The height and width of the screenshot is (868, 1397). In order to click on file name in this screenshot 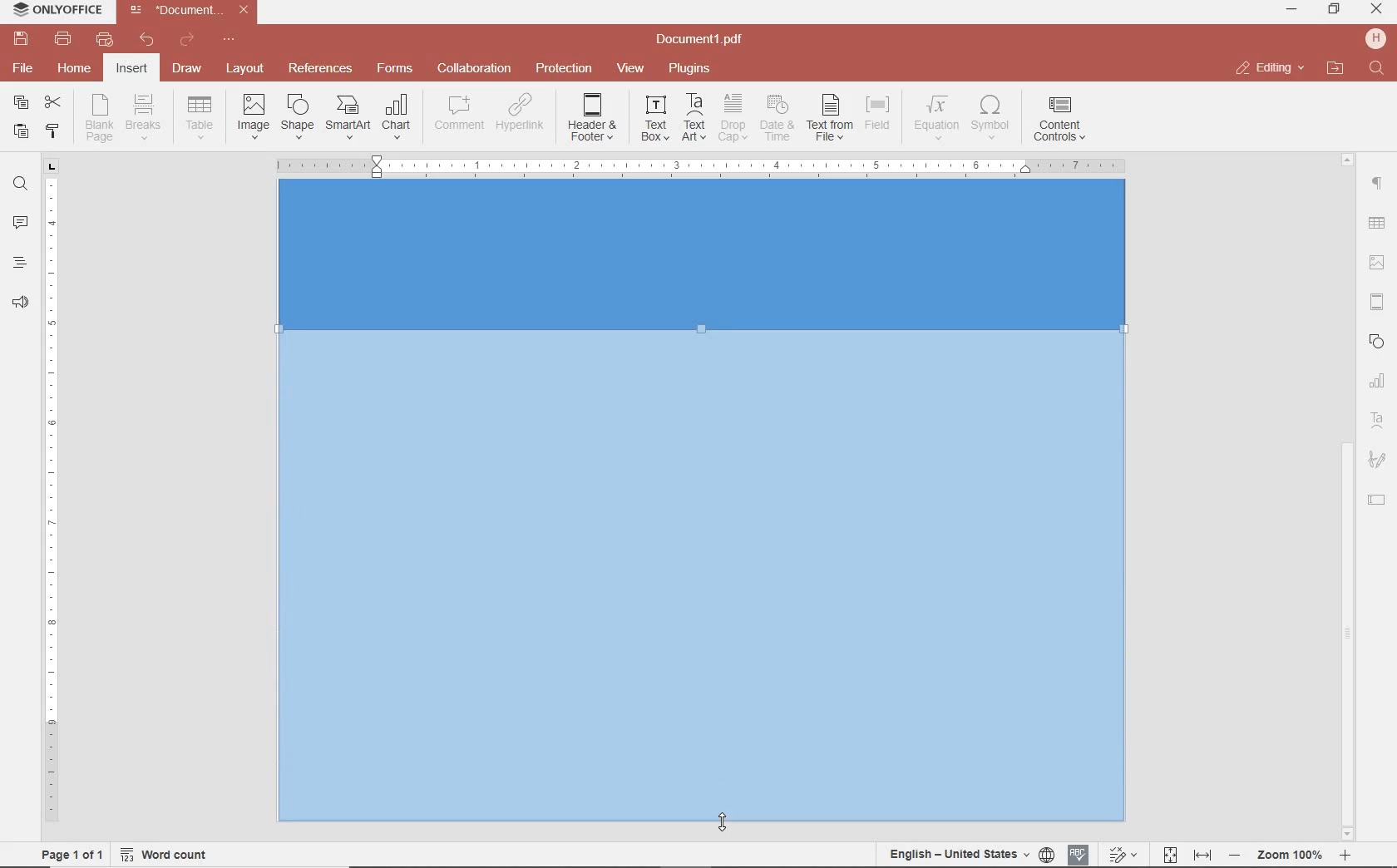, I will do `click(193, 10)`.